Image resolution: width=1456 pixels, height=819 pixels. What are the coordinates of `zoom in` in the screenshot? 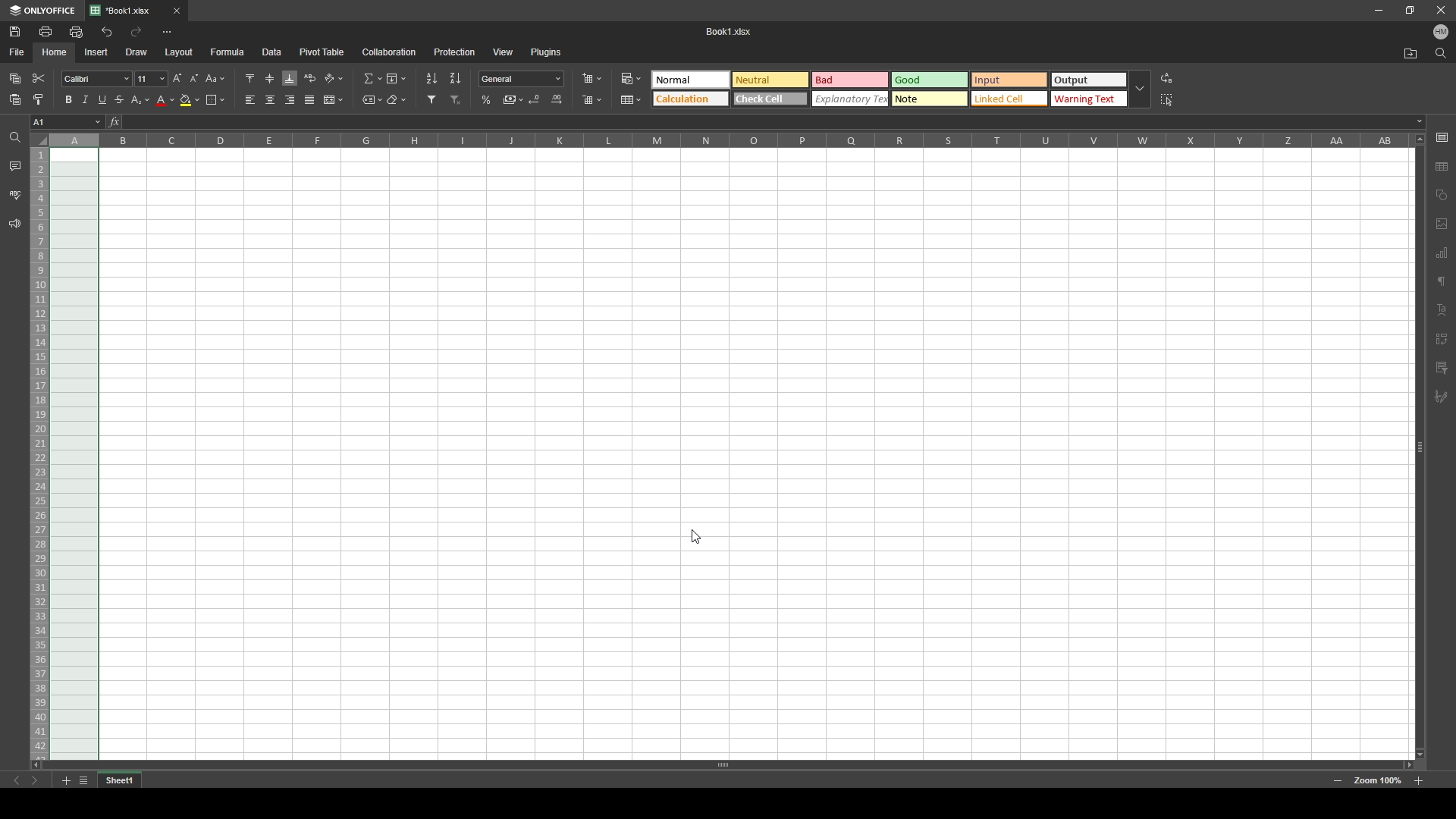 It's located at (1418, 781).